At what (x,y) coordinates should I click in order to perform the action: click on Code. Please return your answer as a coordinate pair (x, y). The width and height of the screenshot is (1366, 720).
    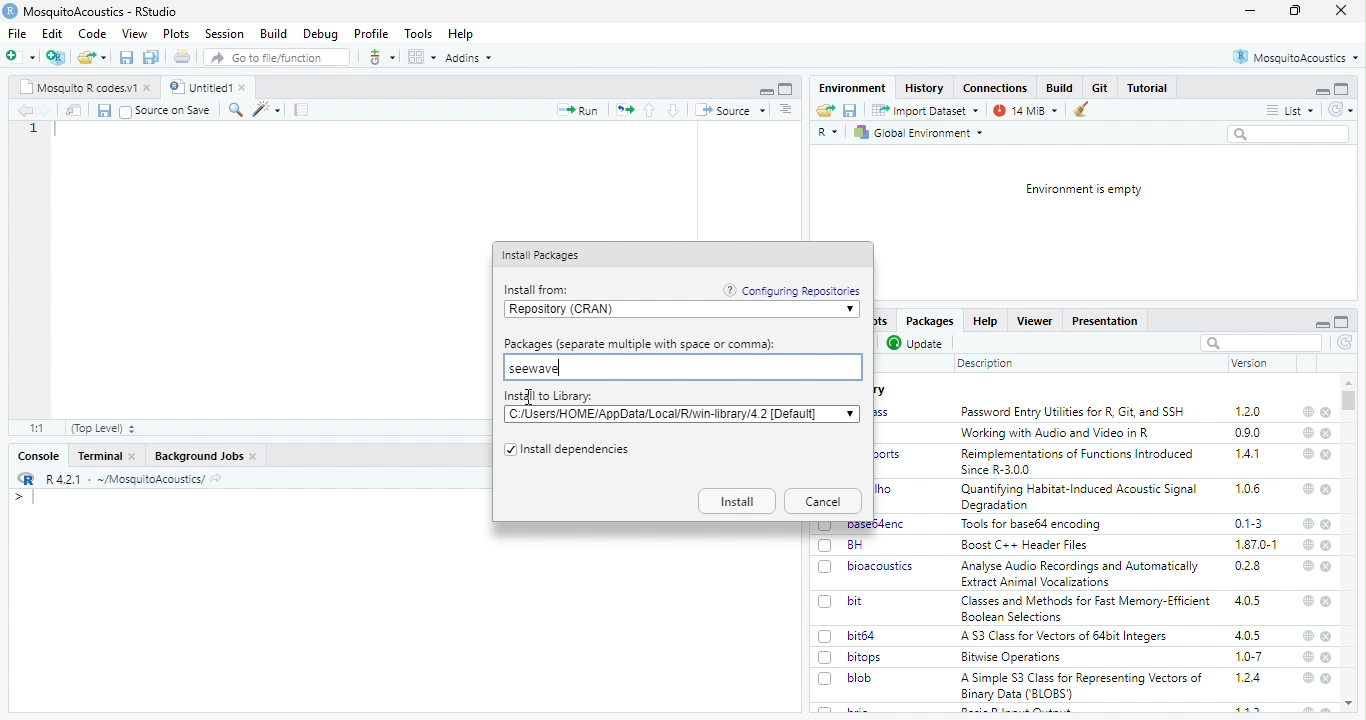
    Looking at the image, I should click on (94, 33).